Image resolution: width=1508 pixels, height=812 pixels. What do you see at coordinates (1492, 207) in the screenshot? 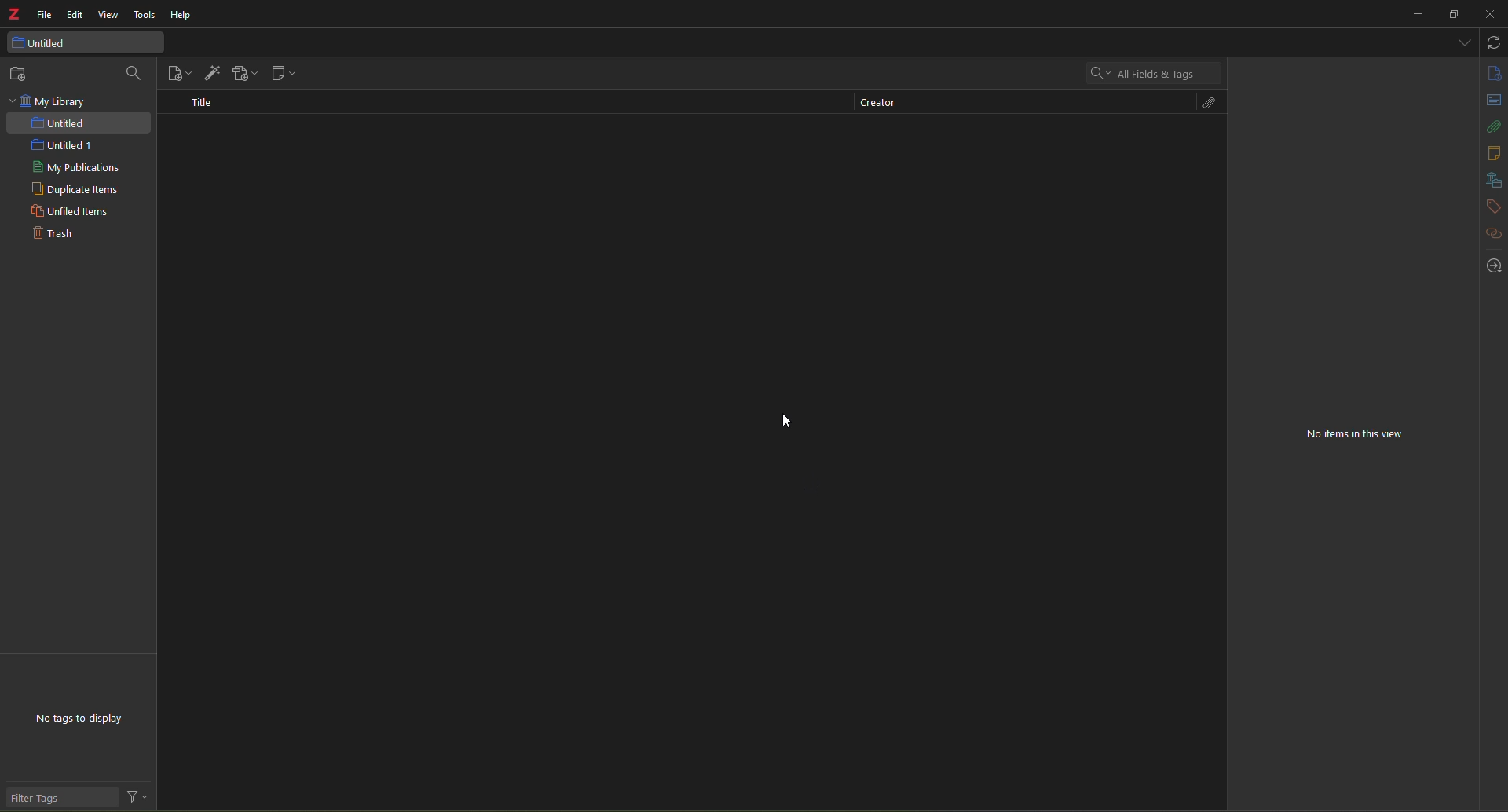
I see `tags` at bounding box center [1492, 207].